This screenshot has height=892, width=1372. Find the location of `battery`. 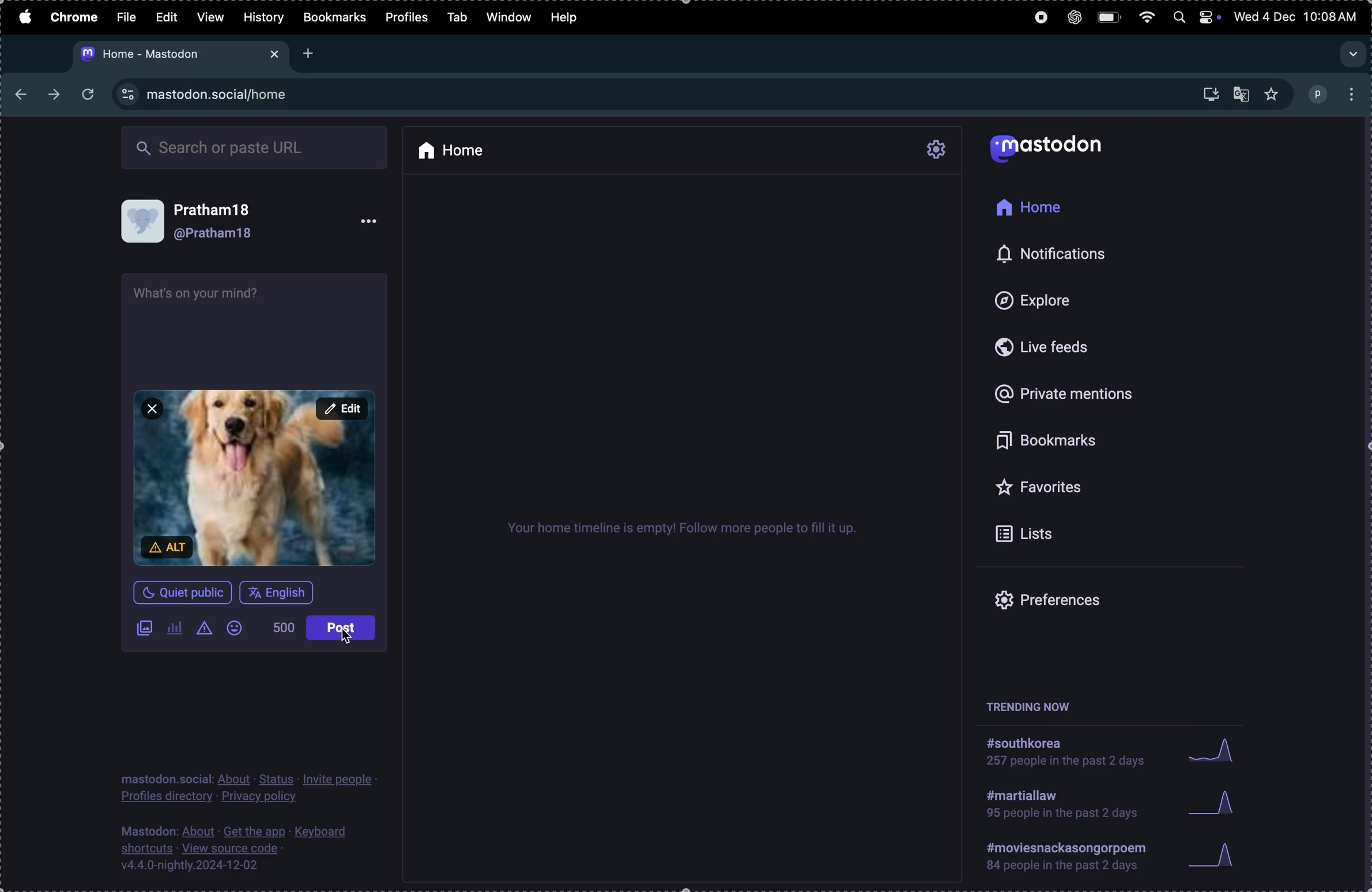

battery is located at coordinates (1109, 17).